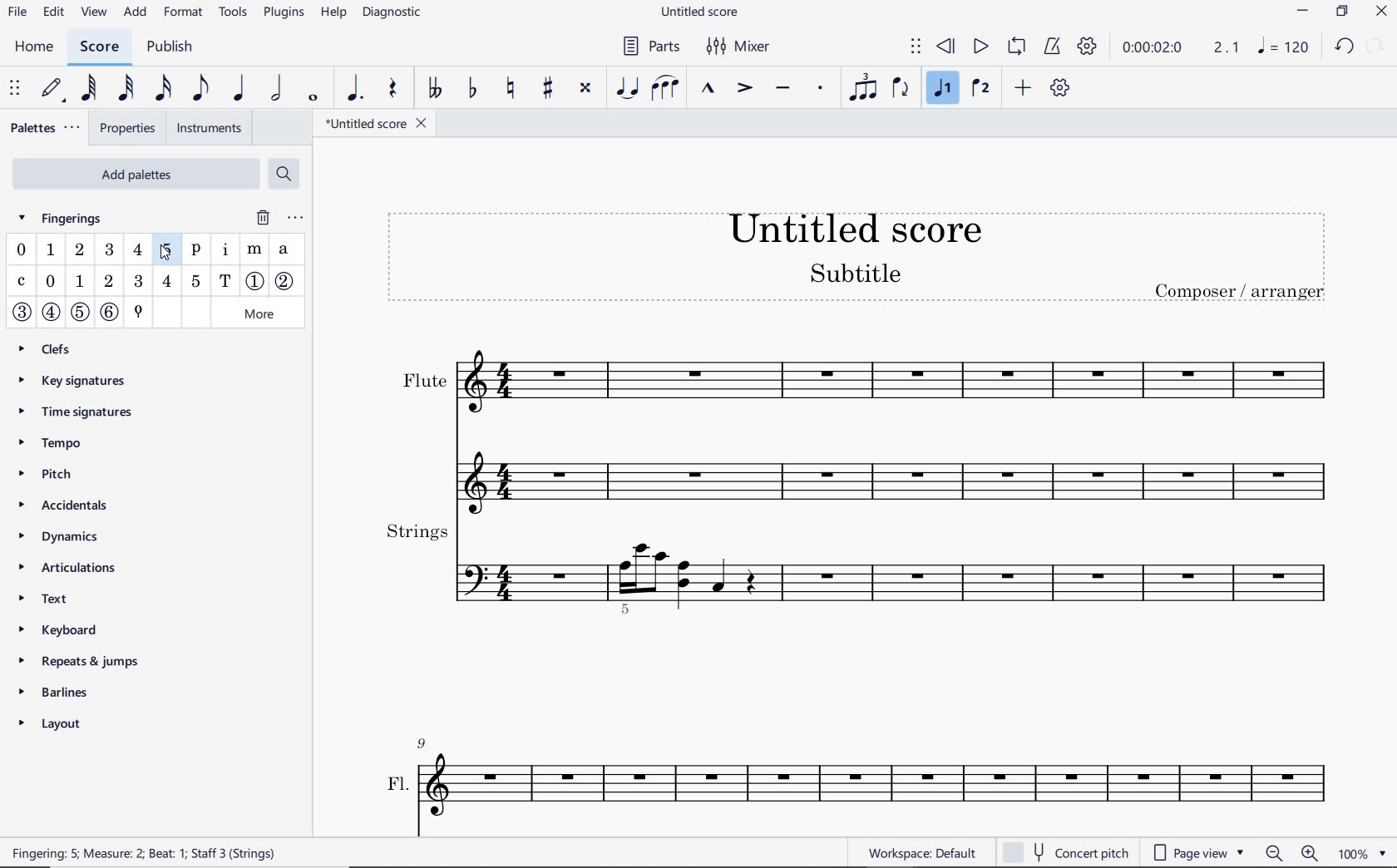  Describe the element at coordinates (1380, 13) in the screenshot. I see `CLOSE` at that location.